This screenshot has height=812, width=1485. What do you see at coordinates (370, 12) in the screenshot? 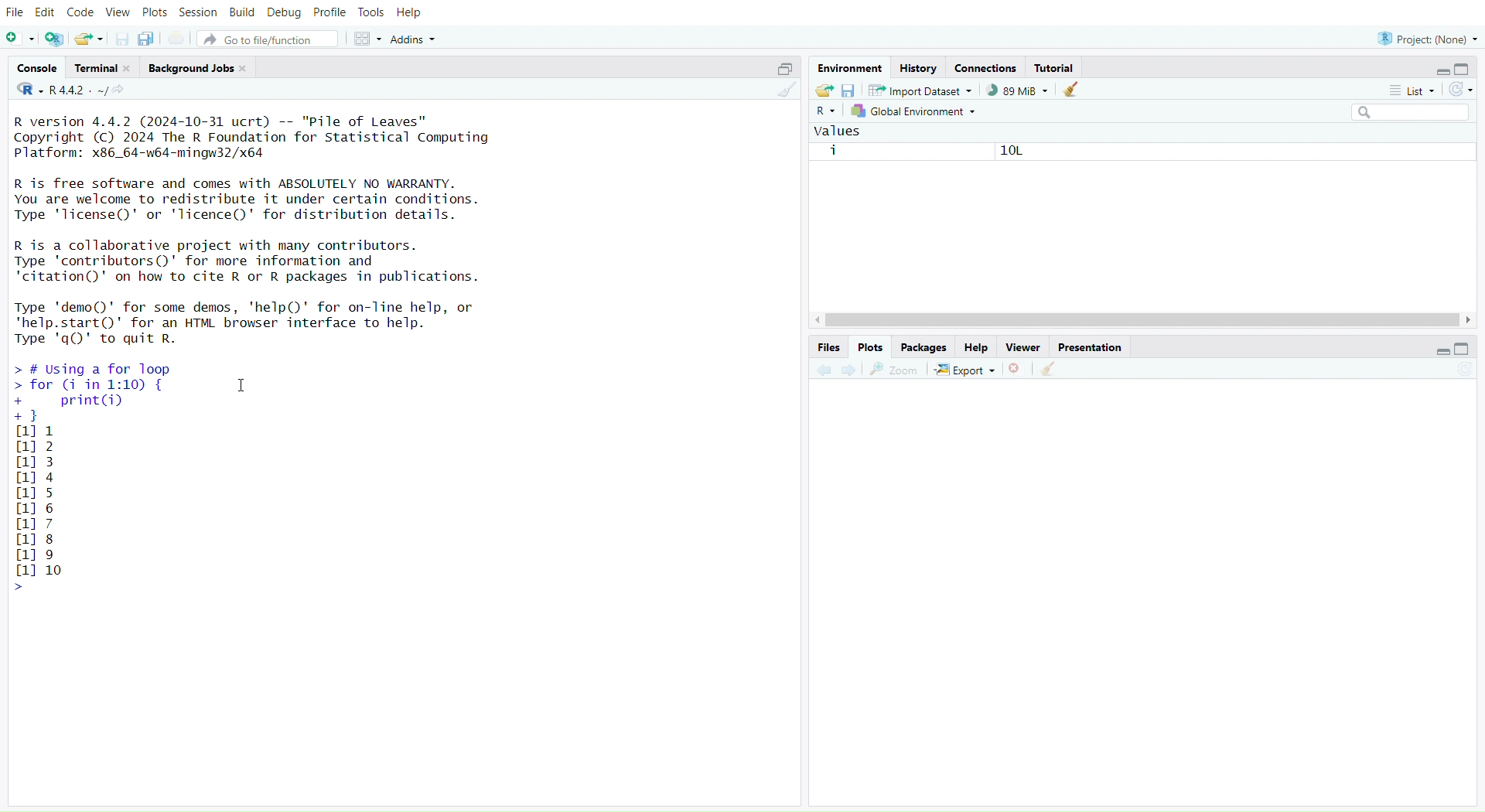
I see `tools` at bounding box center [370, 12].